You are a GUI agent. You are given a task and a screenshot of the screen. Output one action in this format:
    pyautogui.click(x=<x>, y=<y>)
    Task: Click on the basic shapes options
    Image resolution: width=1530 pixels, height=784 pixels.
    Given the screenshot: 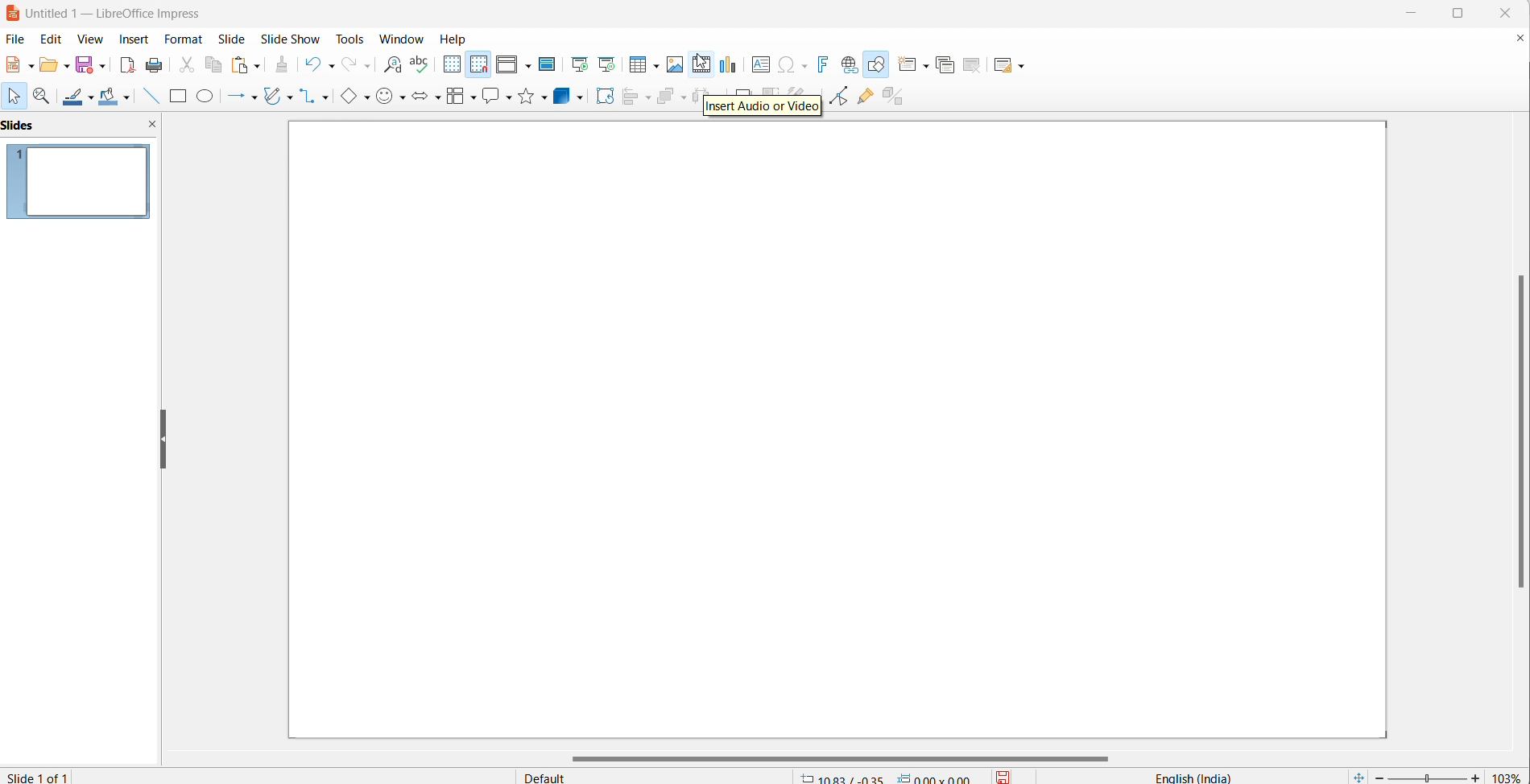 What is the action you would take?
    pyautogui.click(x=369, y=99)
    